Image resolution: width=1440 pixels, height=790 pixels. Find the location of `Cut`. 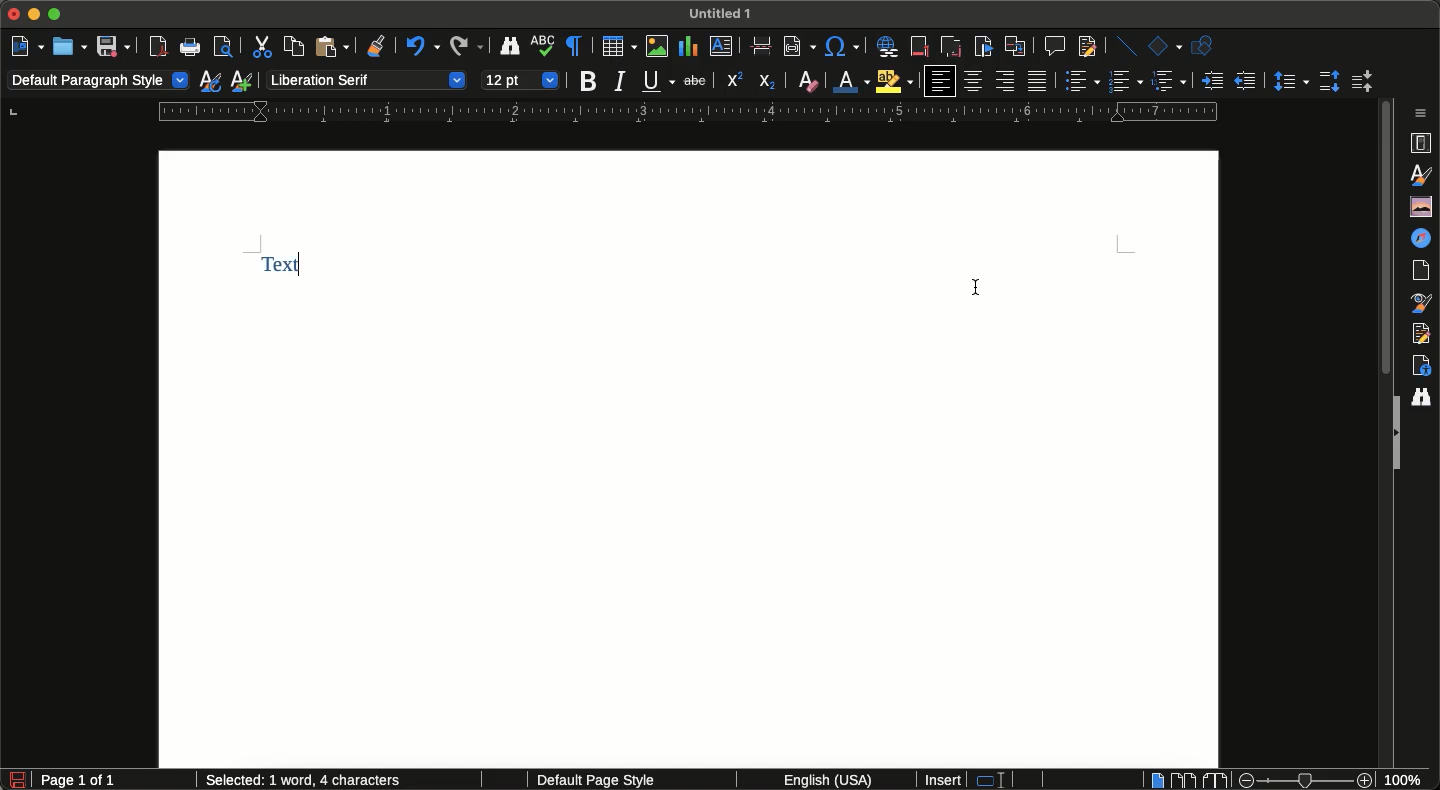

Cut is located at coordinates (260, 46).